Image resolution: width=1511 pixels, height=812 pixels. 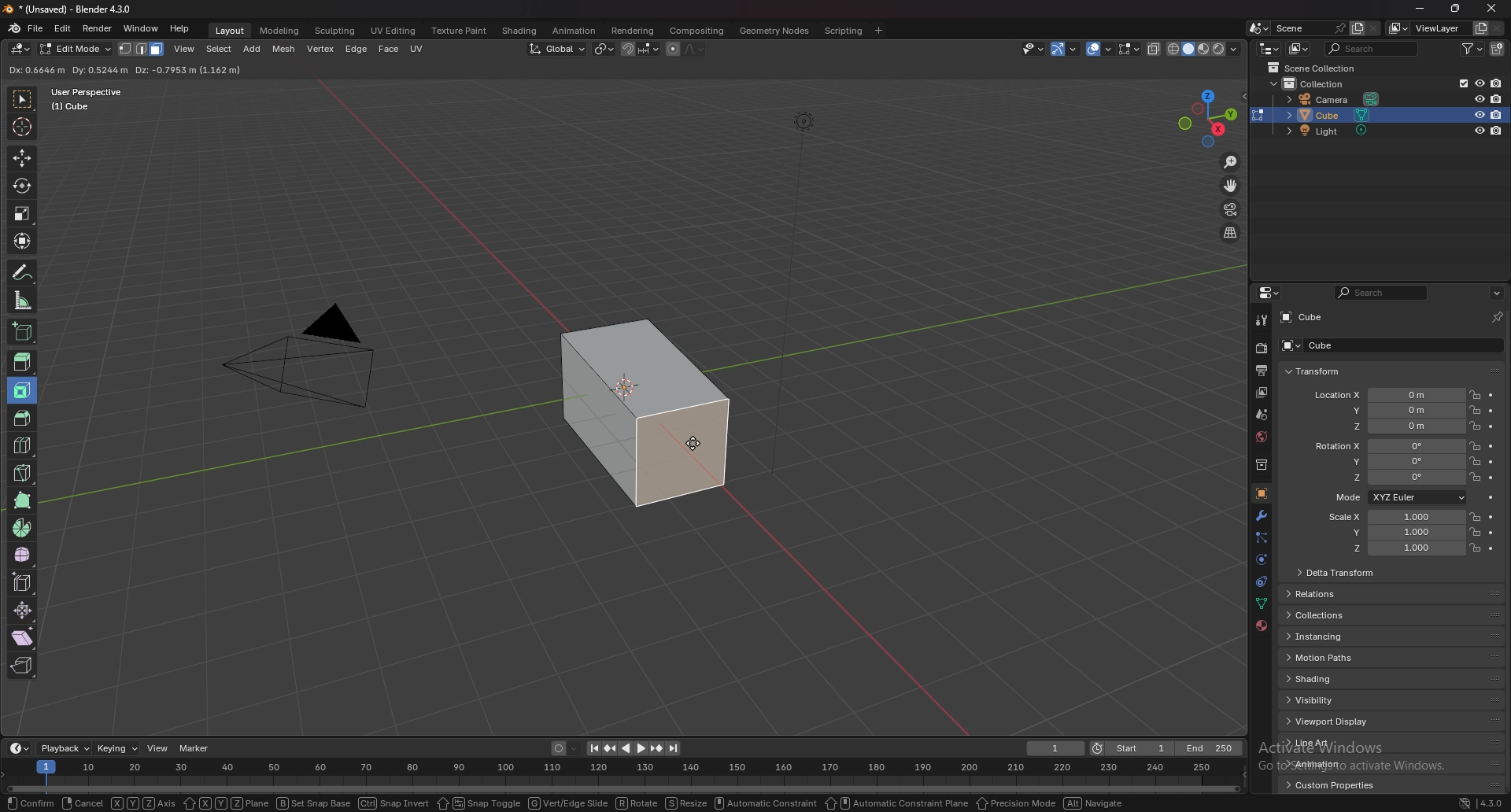 What do you see at coordinates (22, 186) in the screenshot?
I see `rotate` at bounding box center [22, 186].